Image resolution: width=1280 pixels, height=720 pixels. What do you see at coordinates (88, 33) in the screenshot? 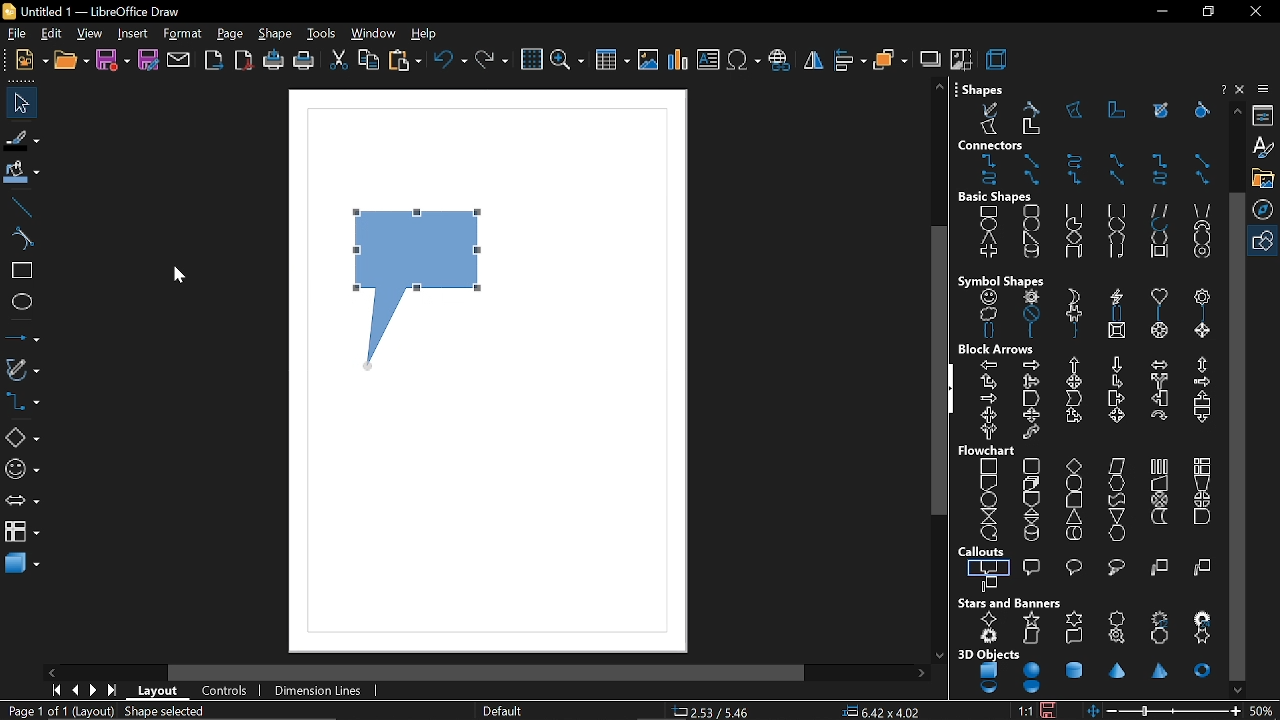
I see `view` at bounding box center [88, 33].